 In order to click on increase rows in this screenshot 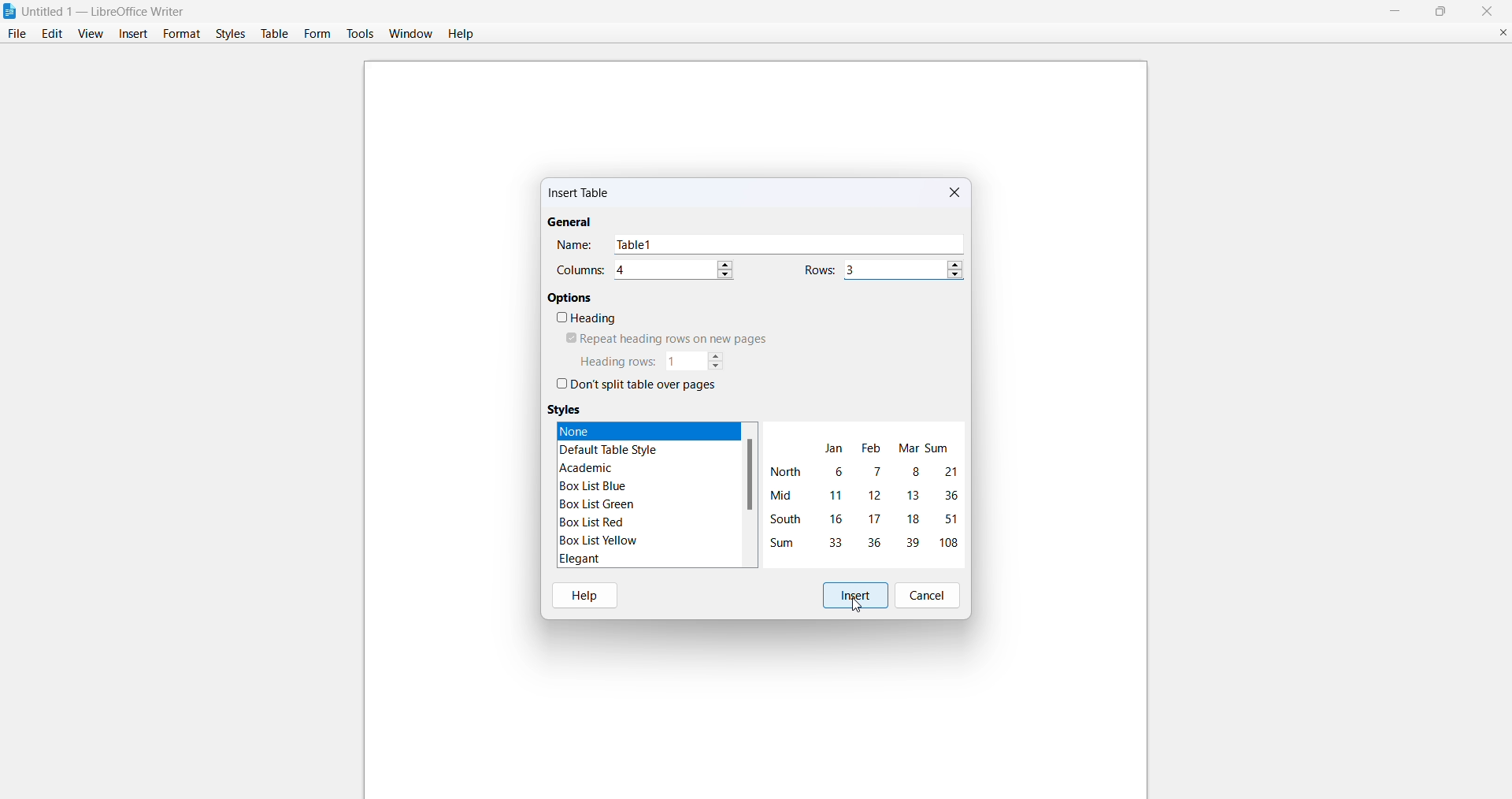, I will do `click(955, 263)`.